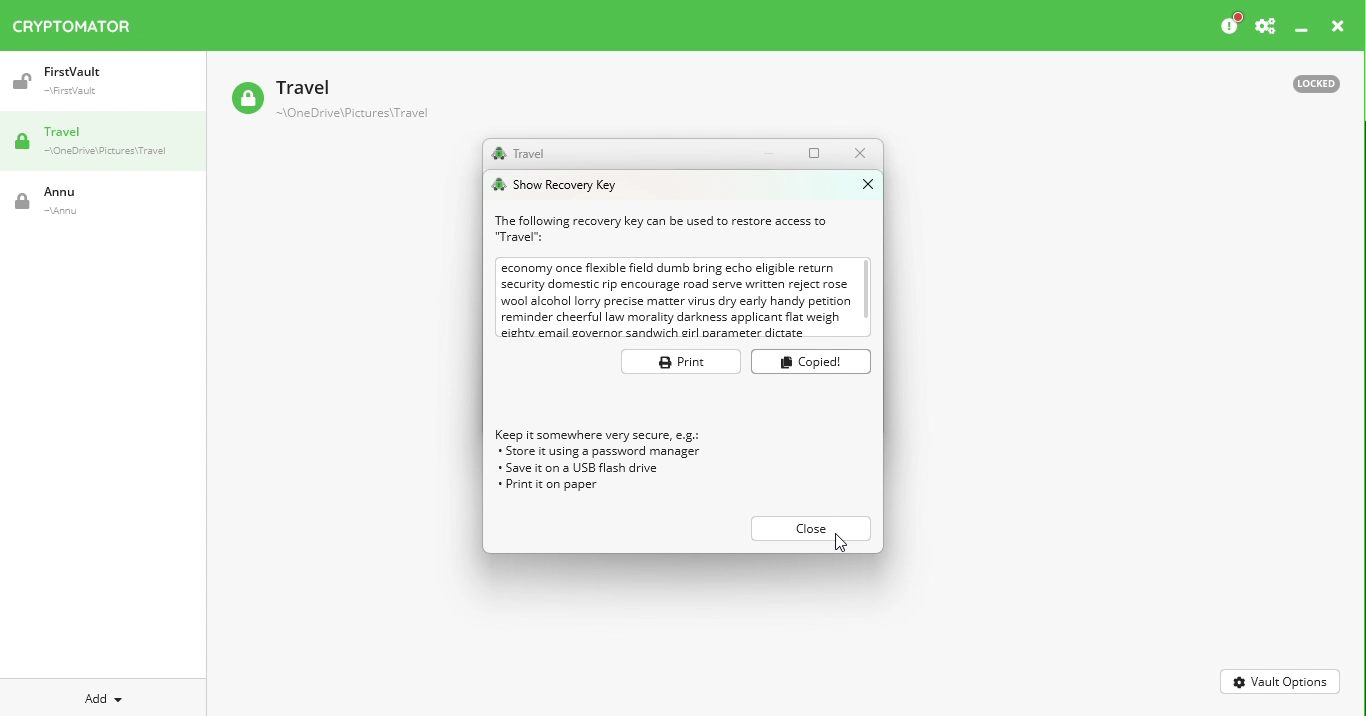 This screenshot has width=1366, height=716. I want to click on Cryptomator, so click(72, 22).